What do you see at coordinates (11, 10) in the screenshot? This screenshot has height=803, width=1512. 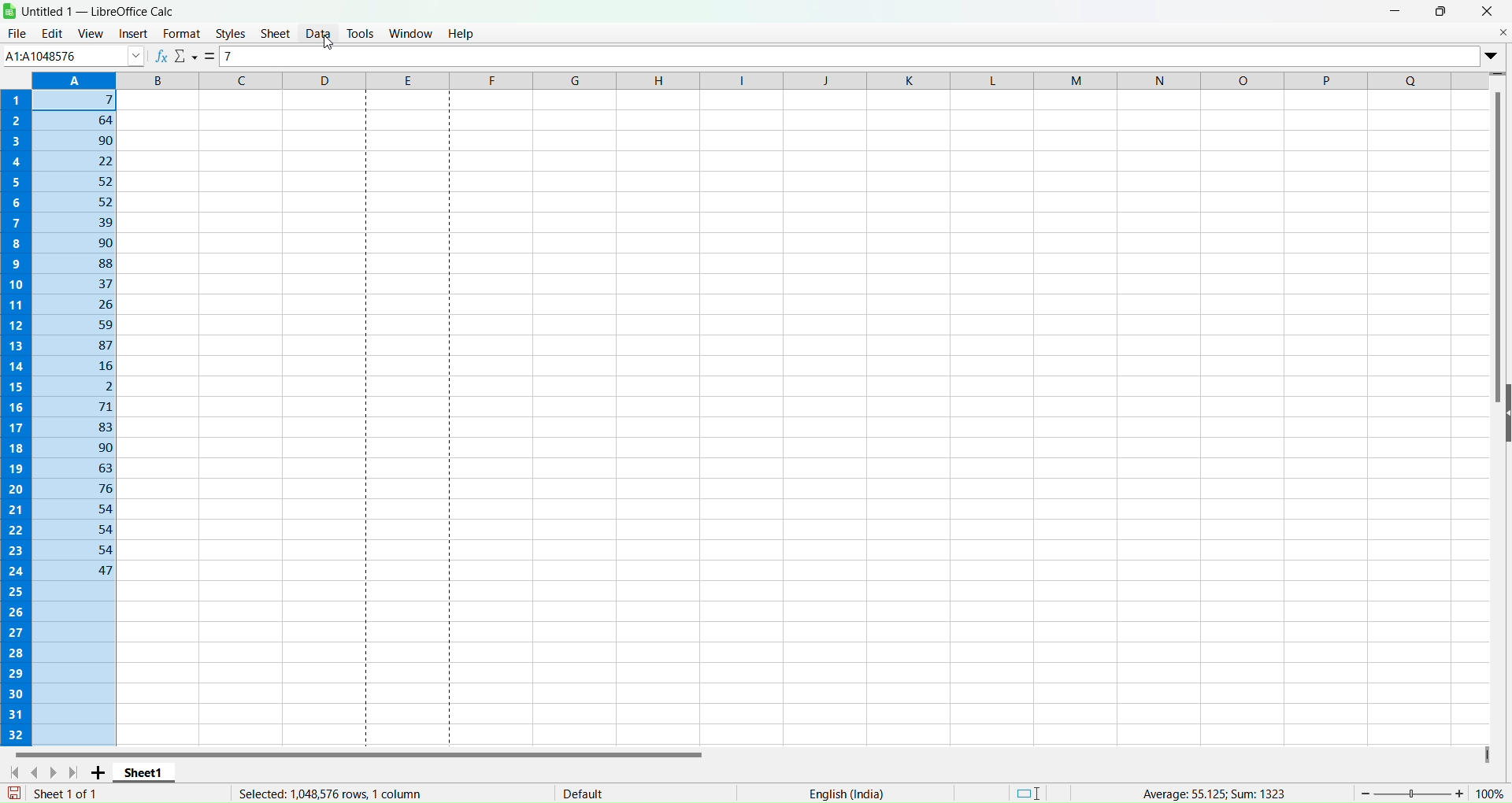 I see `Logo` at bounding box center [11, 10].